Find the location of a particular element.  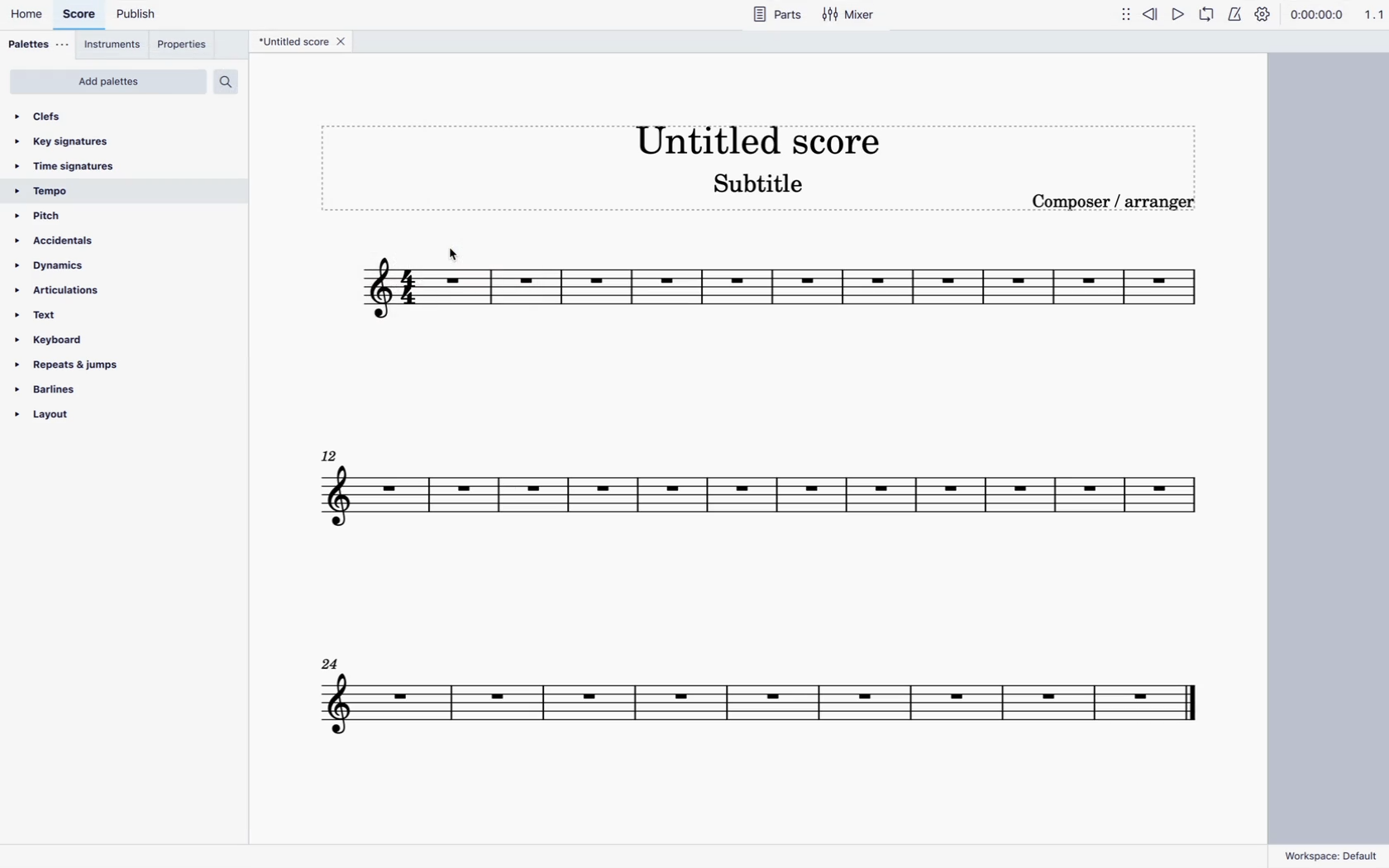

score is located at coordinates (777, 293).